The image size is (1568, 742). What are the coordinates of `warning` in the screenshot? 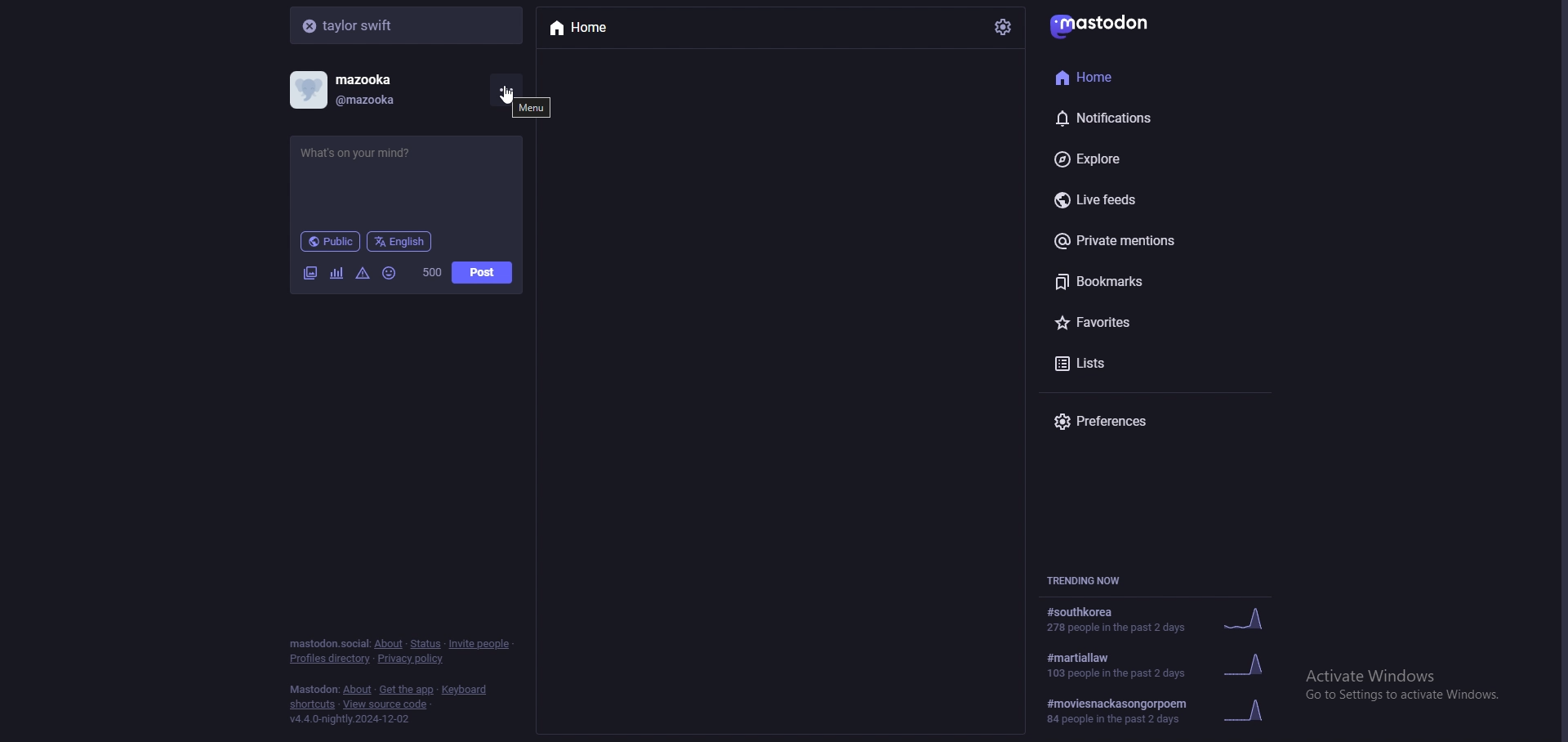 It's located at (363, 273).